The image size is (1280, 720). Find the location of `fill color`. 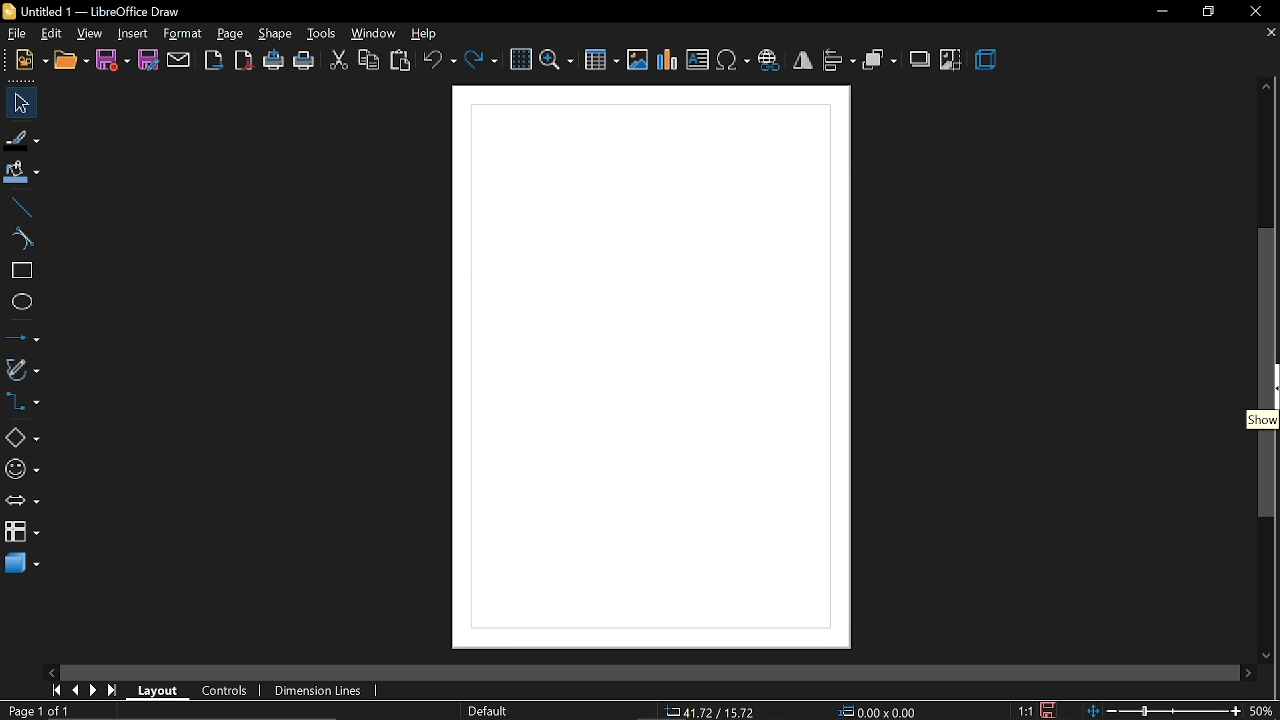

fill color is located at coordinates (22, 173).